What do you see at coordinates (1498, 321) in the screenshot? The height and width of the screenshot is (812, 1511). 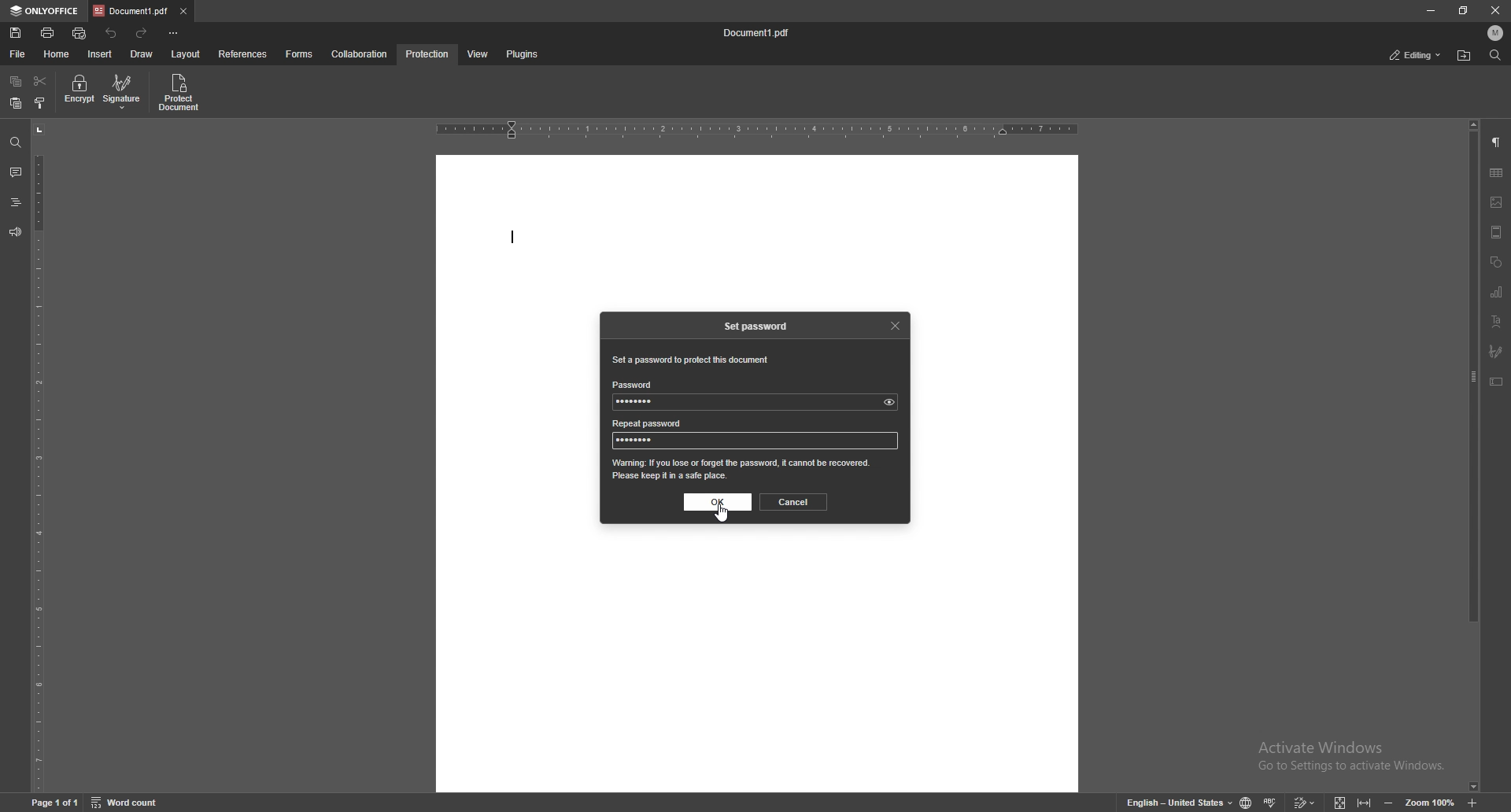 I see `text art` at bounding box center [1498, 321].